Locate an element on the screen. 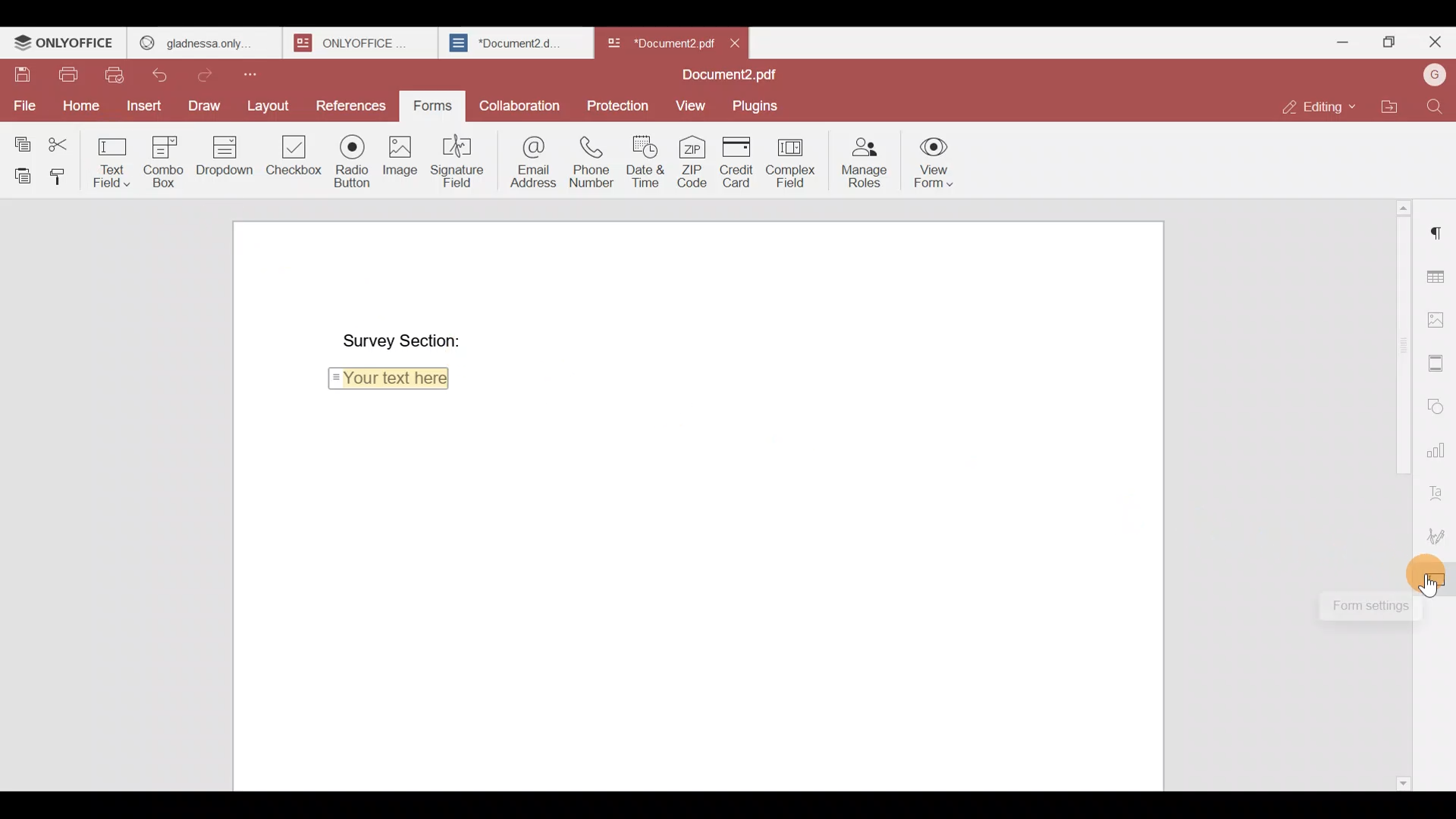 Image resolution: width=1456 pixels, height=819 pixels. Date & time is located at coordinates (645, 161).